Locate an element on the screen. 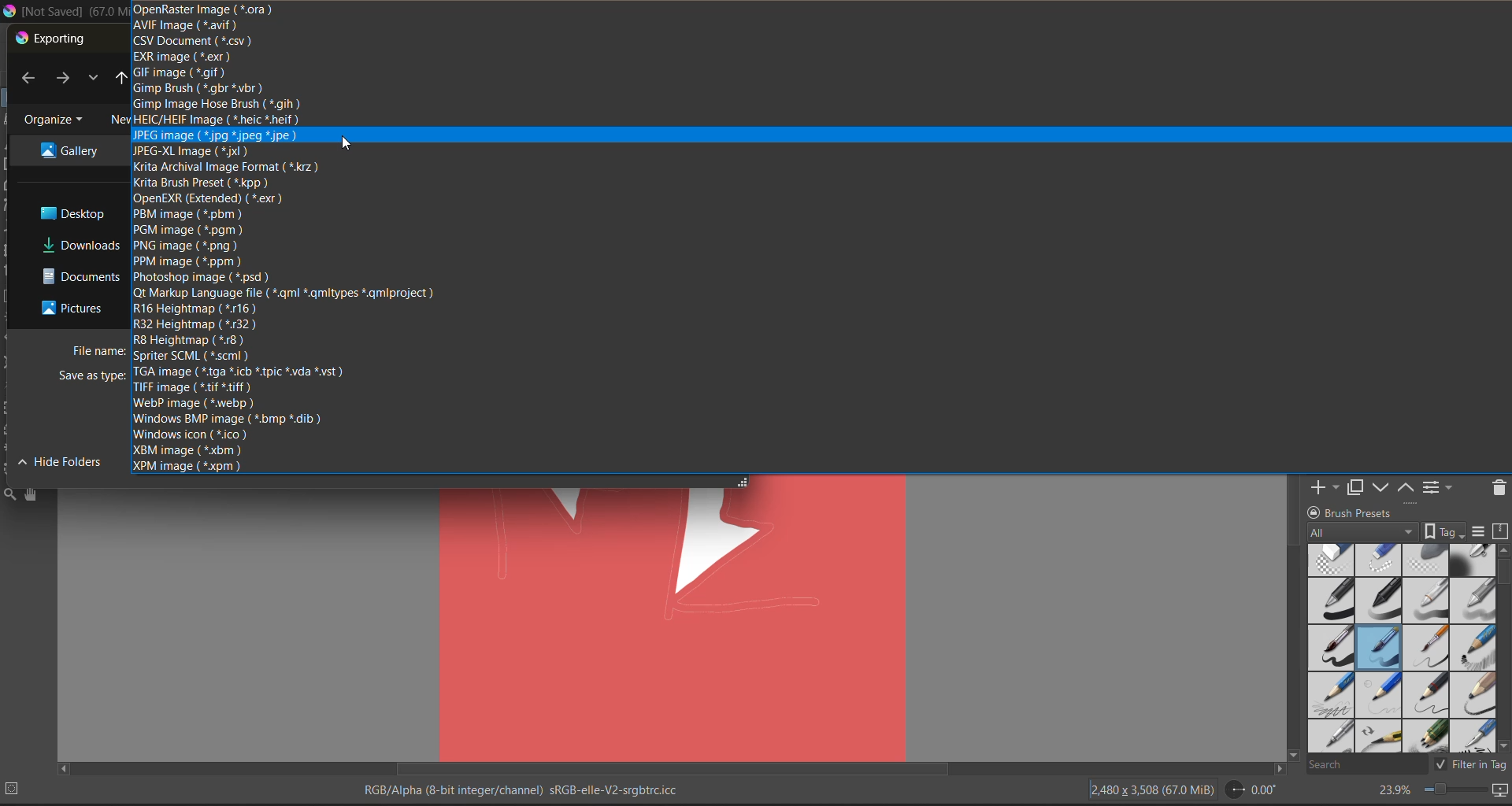 The height and width of the screenshot is (806, 1512). vertical scroll bar is located at coordinates (1289, 619).